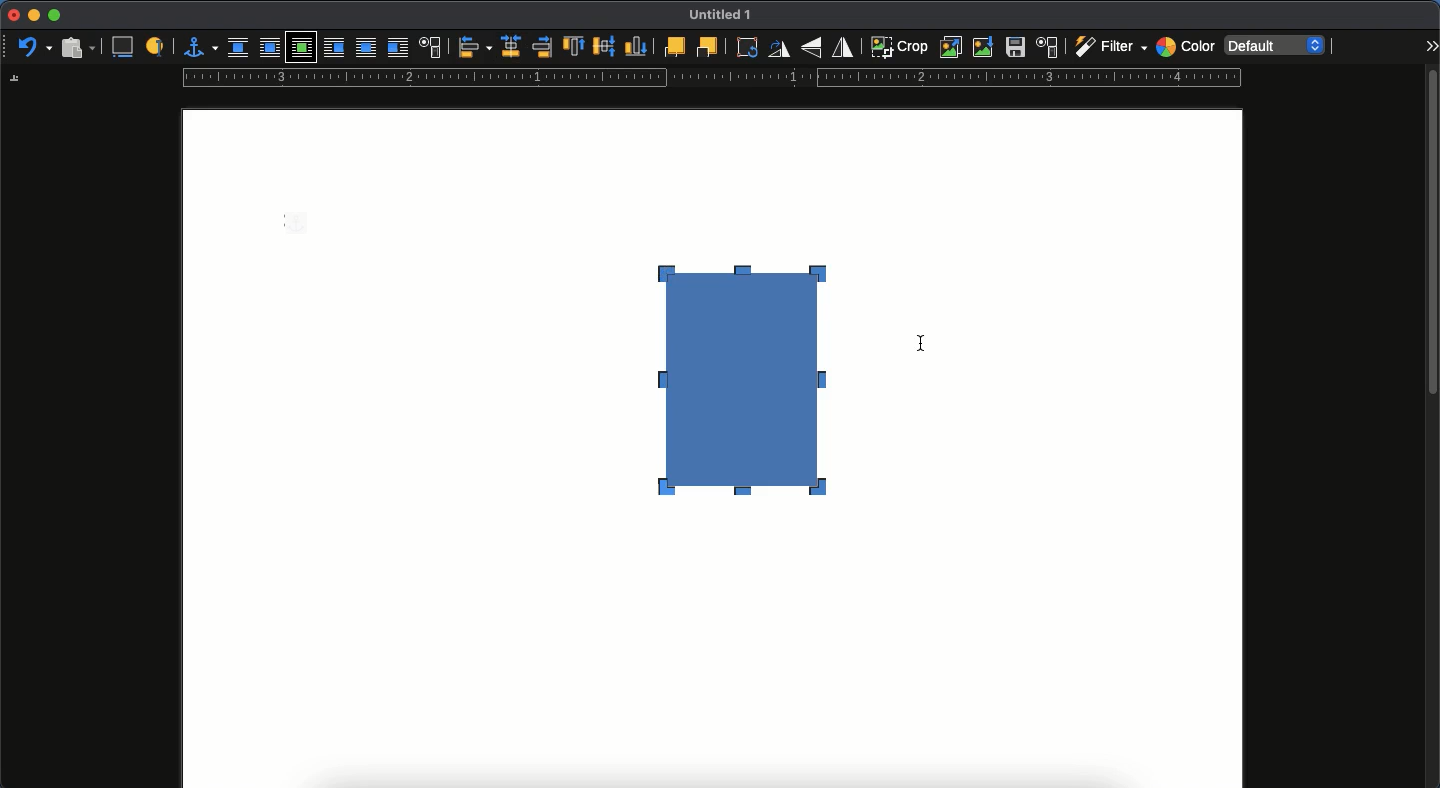  What do you see at coordinates (636, 46) in the screenshot?
I see `bottom to anchor` at bounding box center [636, 46].